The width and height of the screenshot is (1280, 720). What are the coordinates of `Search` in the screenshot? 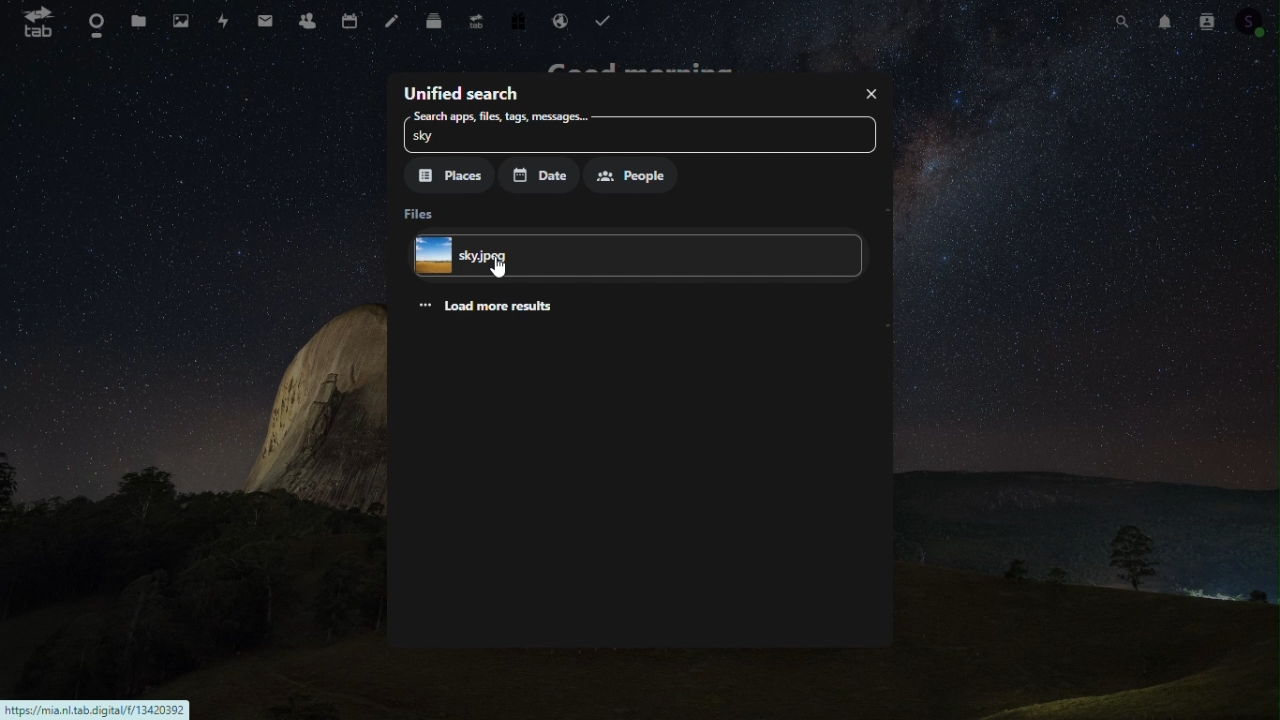 It's located at (1123, 22).